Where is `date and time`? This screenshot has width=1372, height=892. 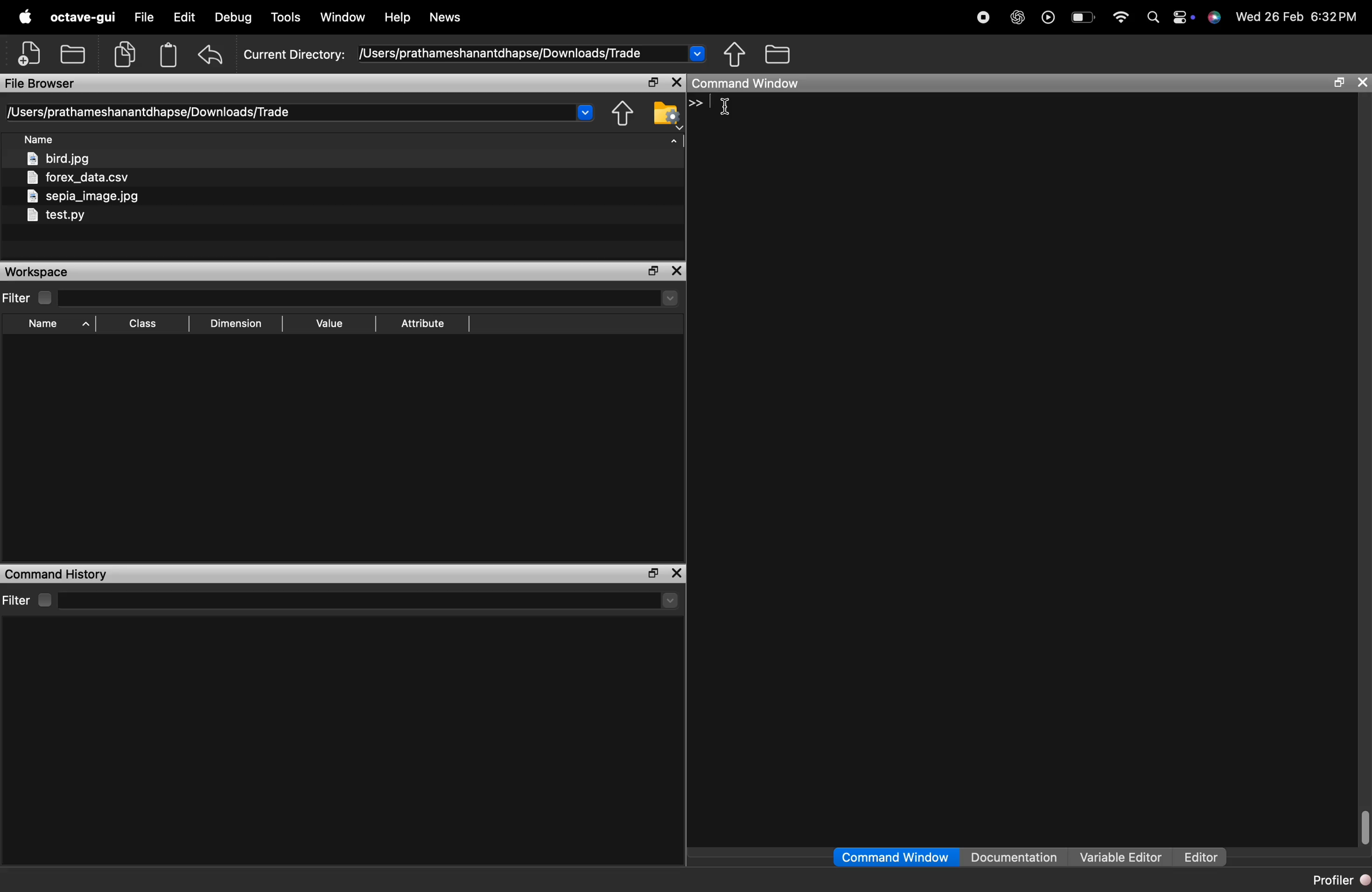 date and time is located at coordinates (1302, 19).